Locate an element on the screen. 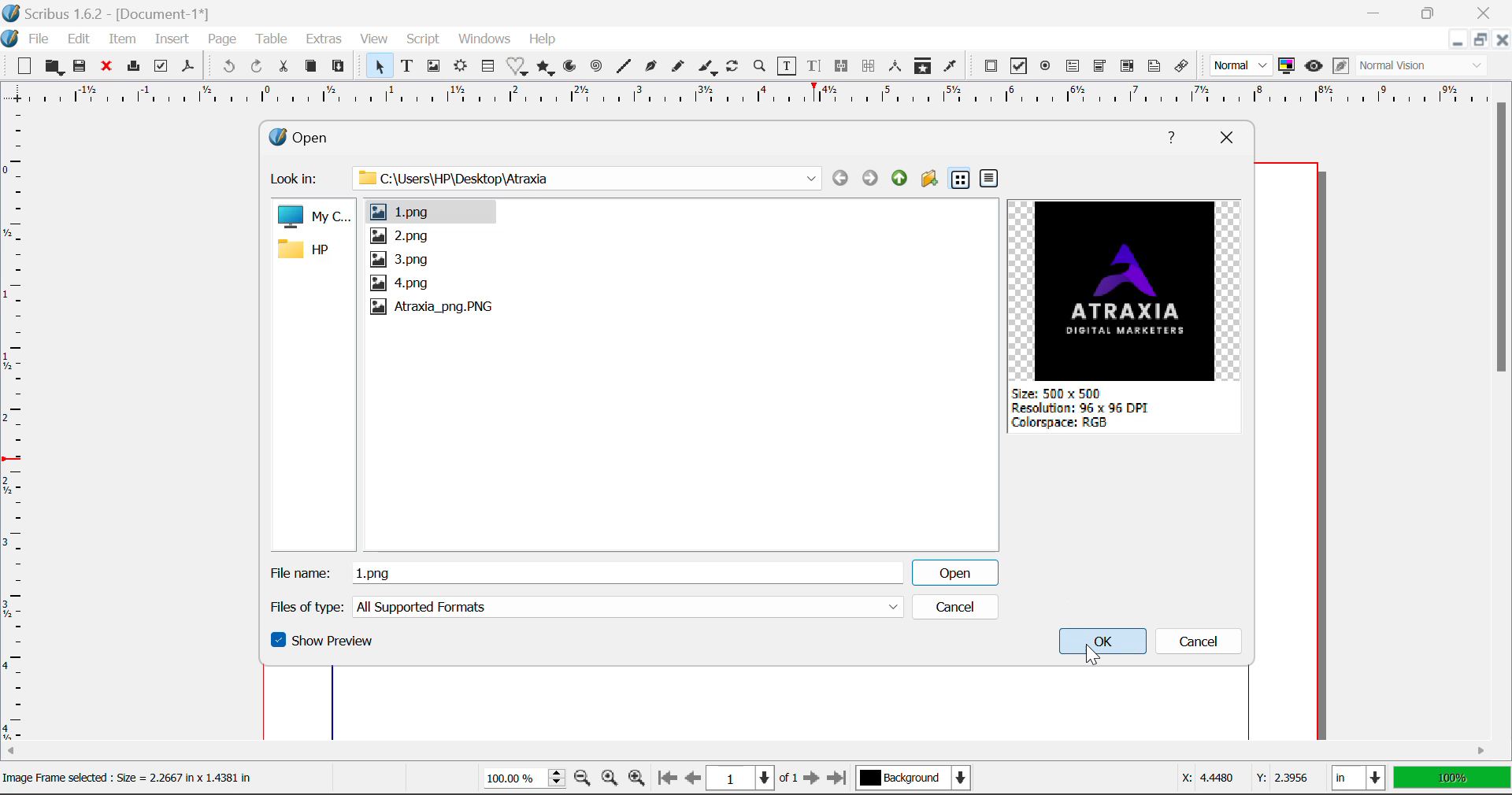  Zoom Out is located at coordinates (583, 779).